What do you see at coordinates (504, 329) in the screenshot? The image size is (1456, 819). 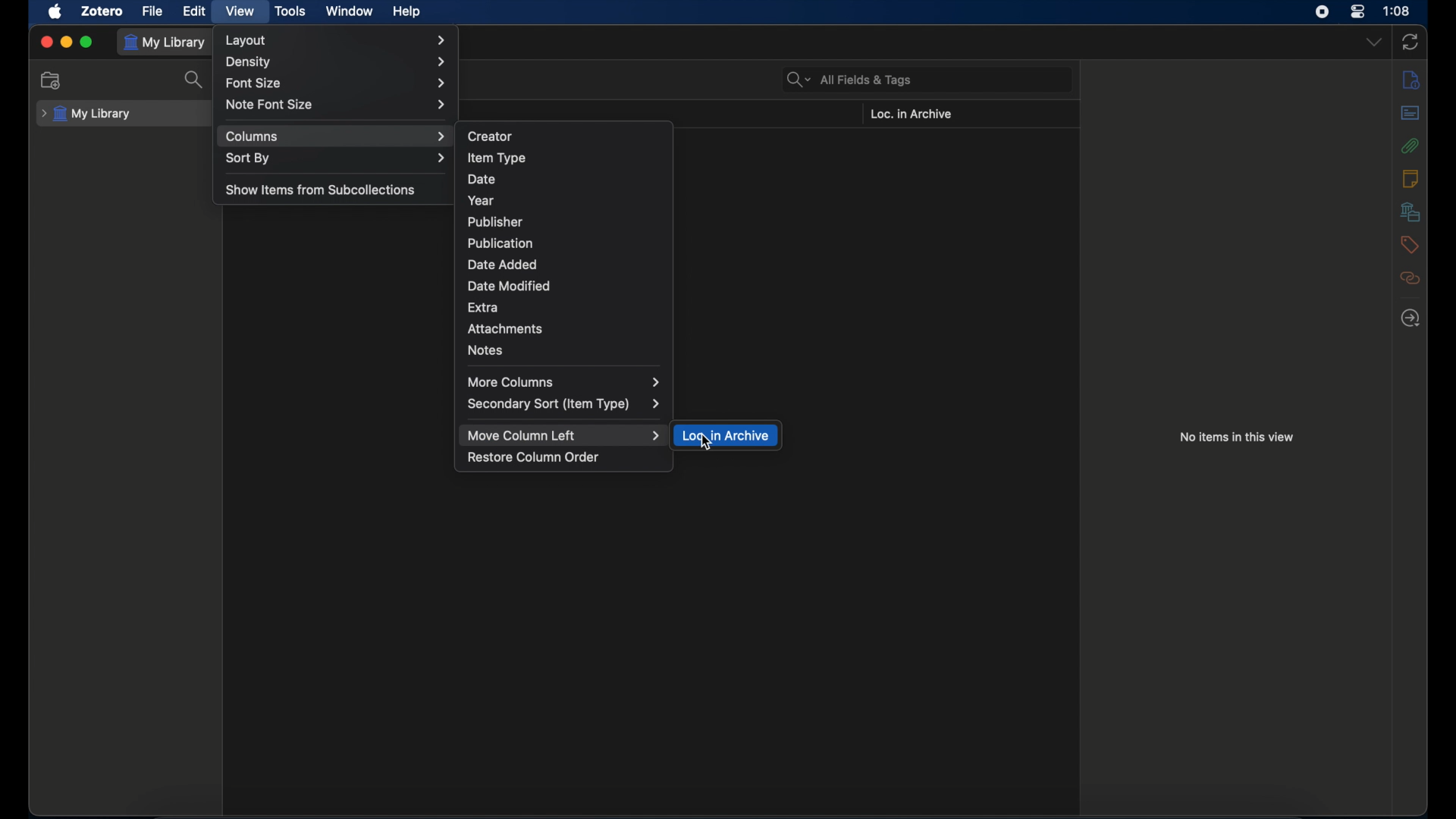 I see `attachments` at bounding box center [504, 329].